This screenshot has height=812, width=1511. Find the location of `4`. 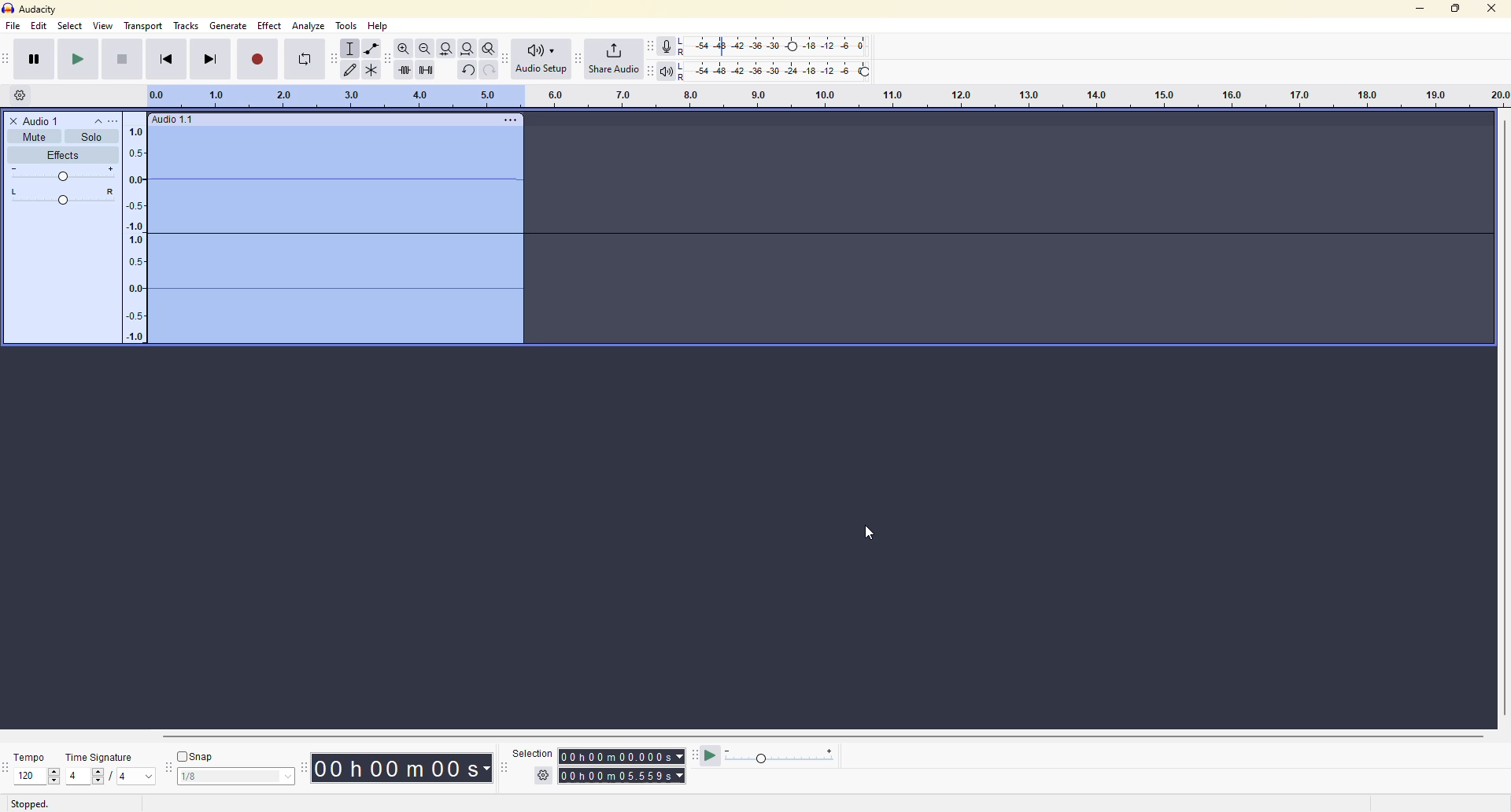

4 is located at coordinates (123, 778).